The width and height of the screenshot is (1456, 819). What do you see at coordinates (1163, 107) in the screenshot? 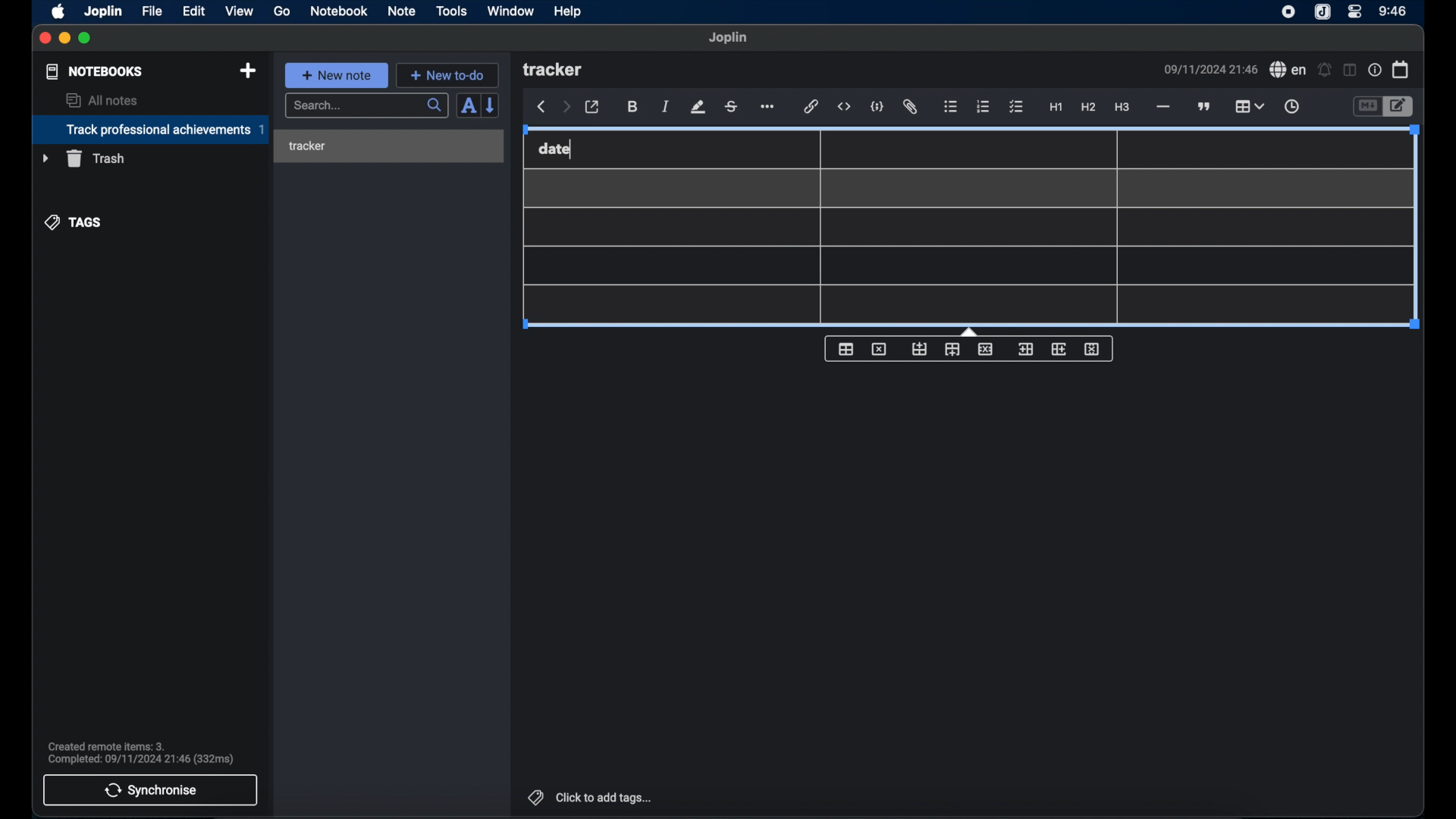
I see `horizontal line` at bounding box center [1163, 107].